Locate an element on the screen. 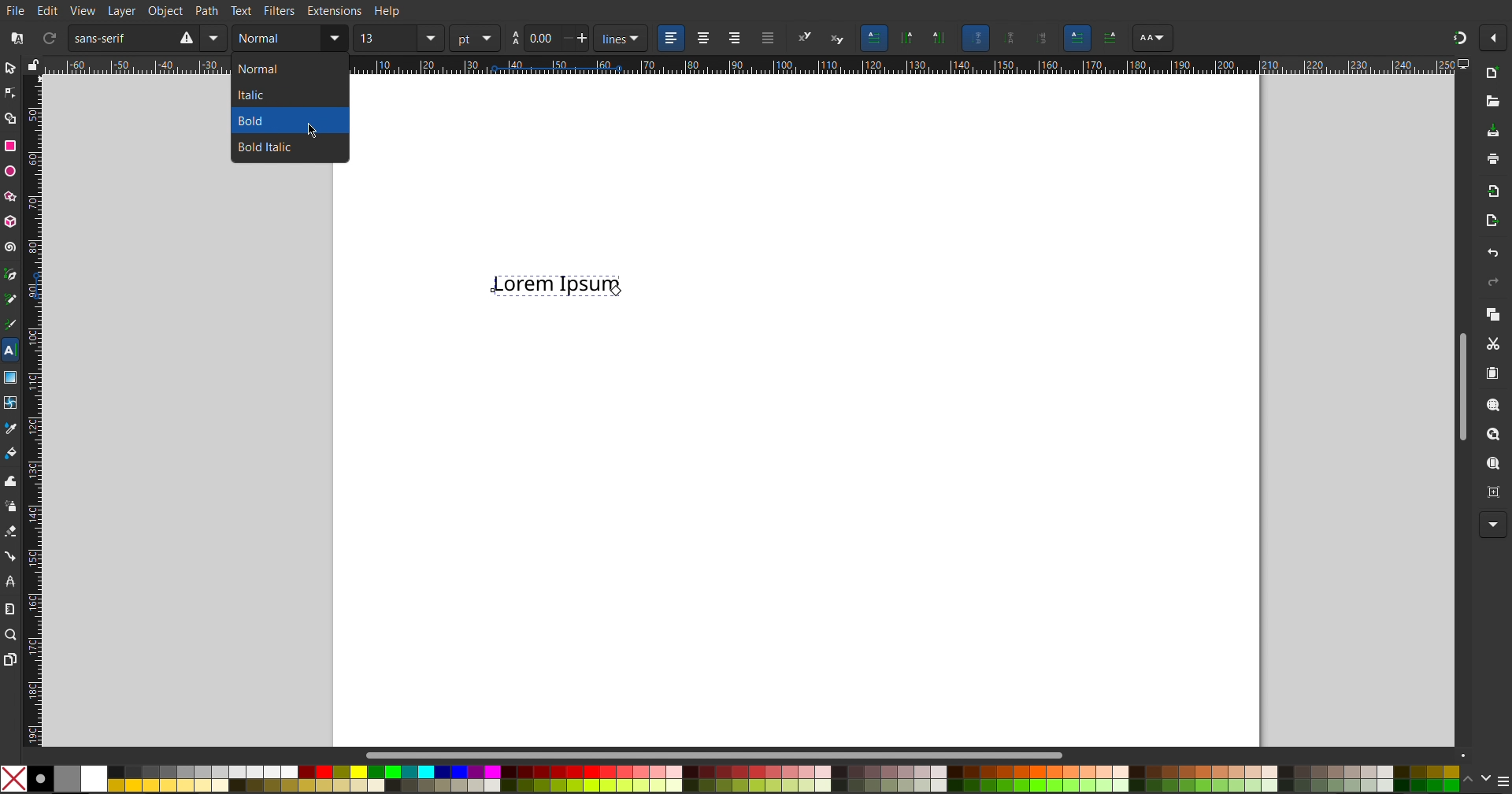 The height and width of the screenshot is (794, 1512). Layer is located at coordinates (119, 10).